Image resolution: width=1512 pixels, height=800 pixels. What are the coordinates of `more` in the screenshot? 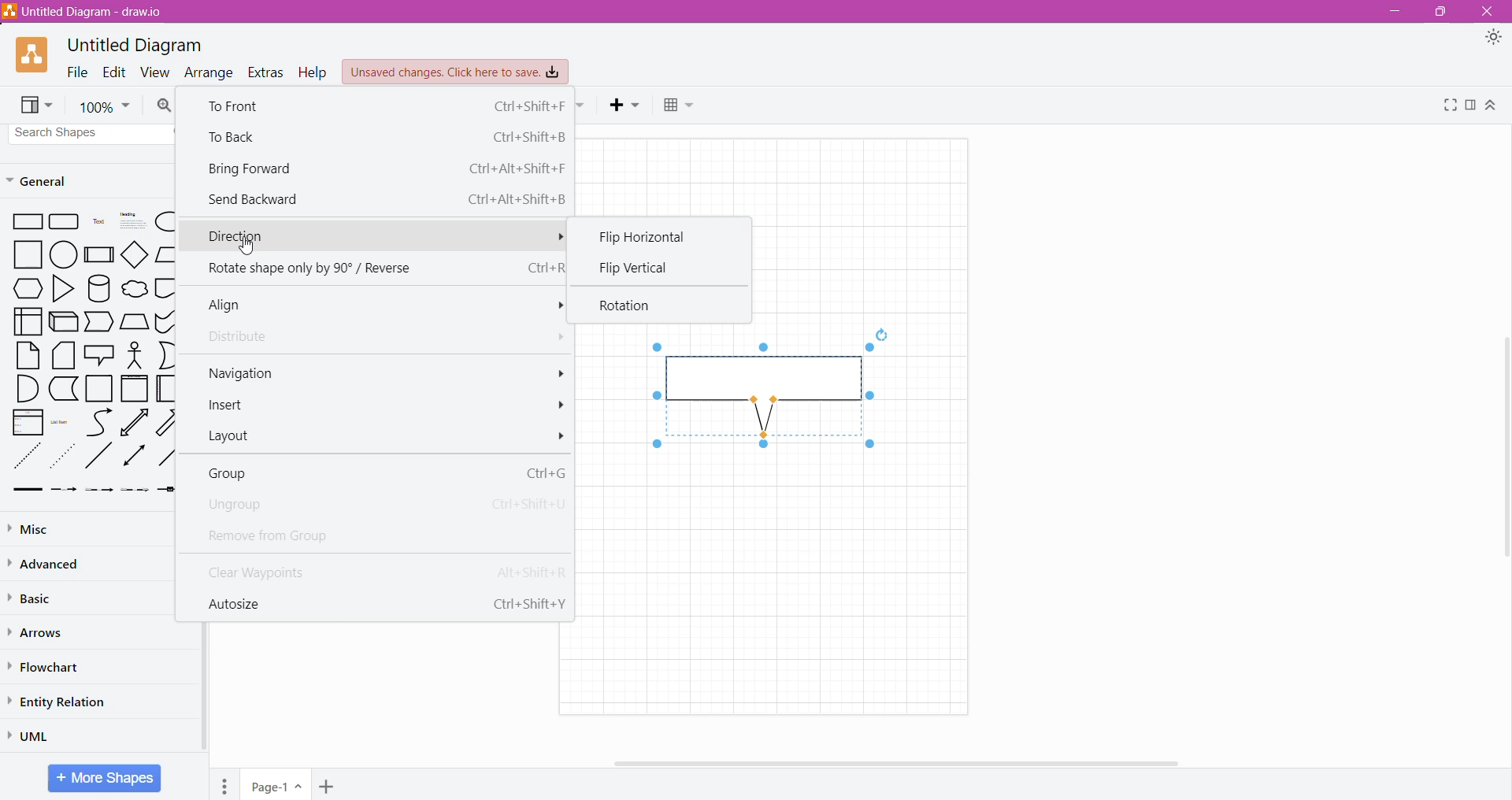 It's located at (561, 406).